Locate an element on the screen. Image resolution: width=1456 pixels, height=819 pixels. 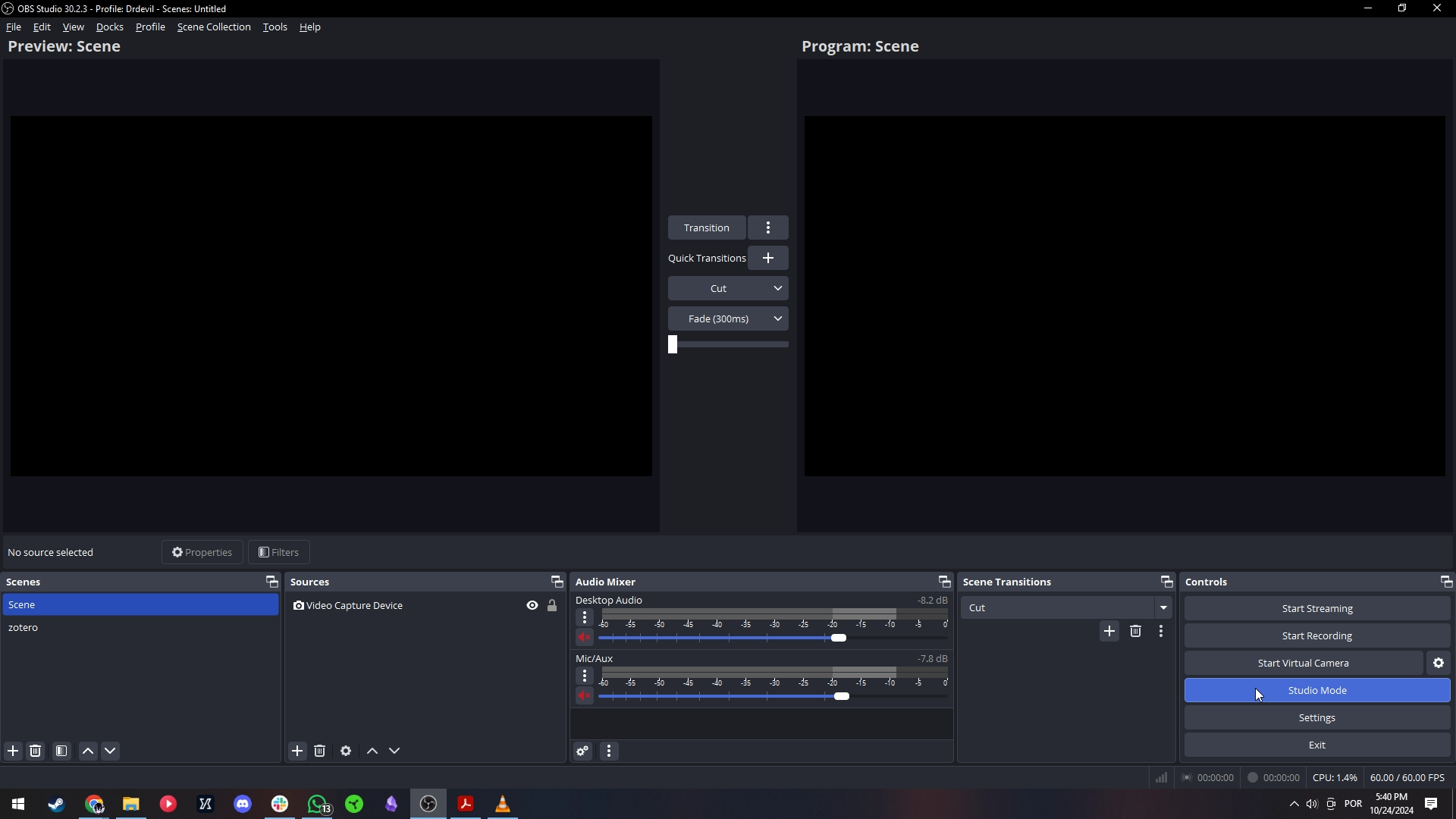
Move scene down is located at coordinates (111, 752).